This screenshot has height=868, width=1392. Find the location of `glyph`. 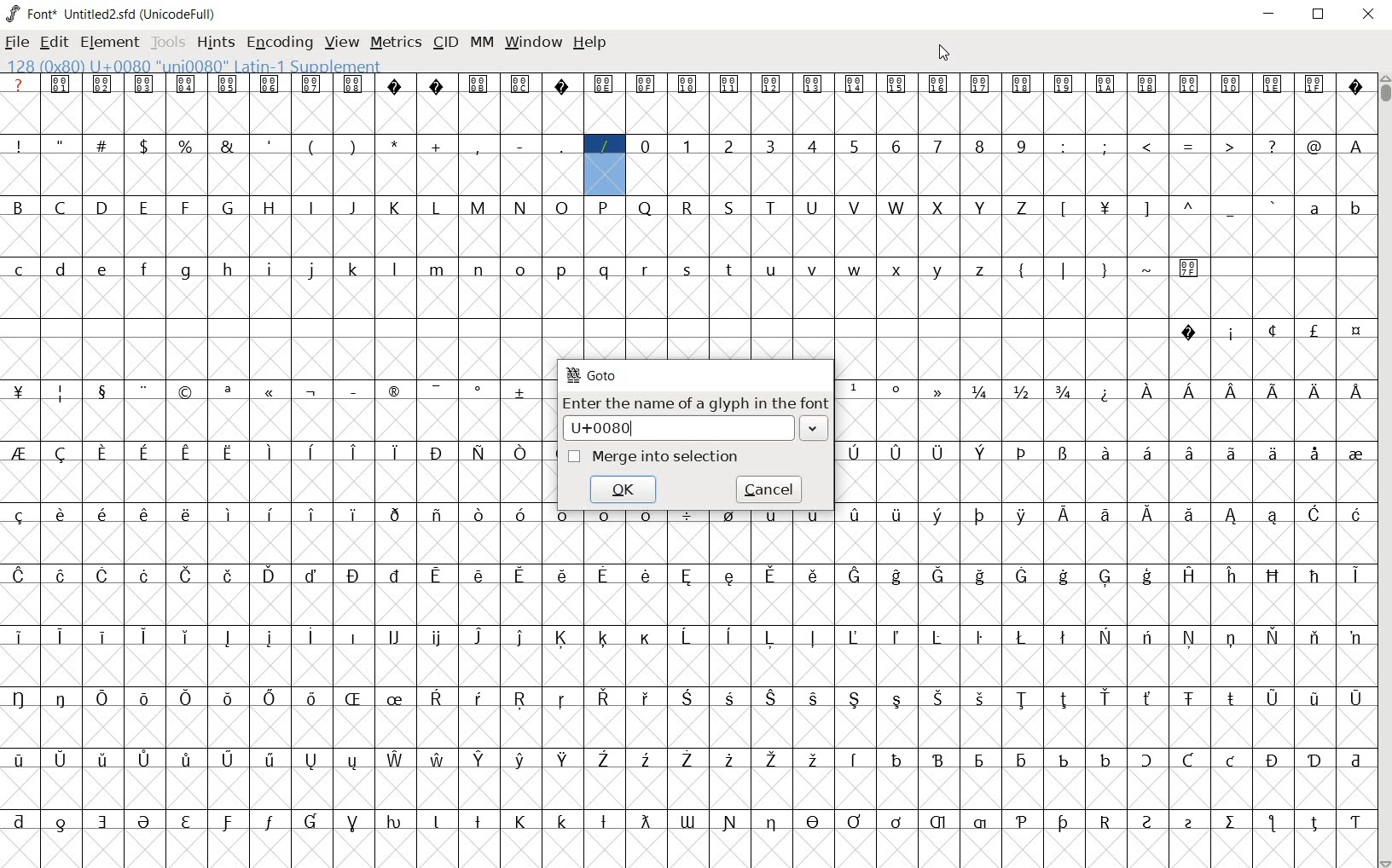

glyph is located at coordinates (981, 271).